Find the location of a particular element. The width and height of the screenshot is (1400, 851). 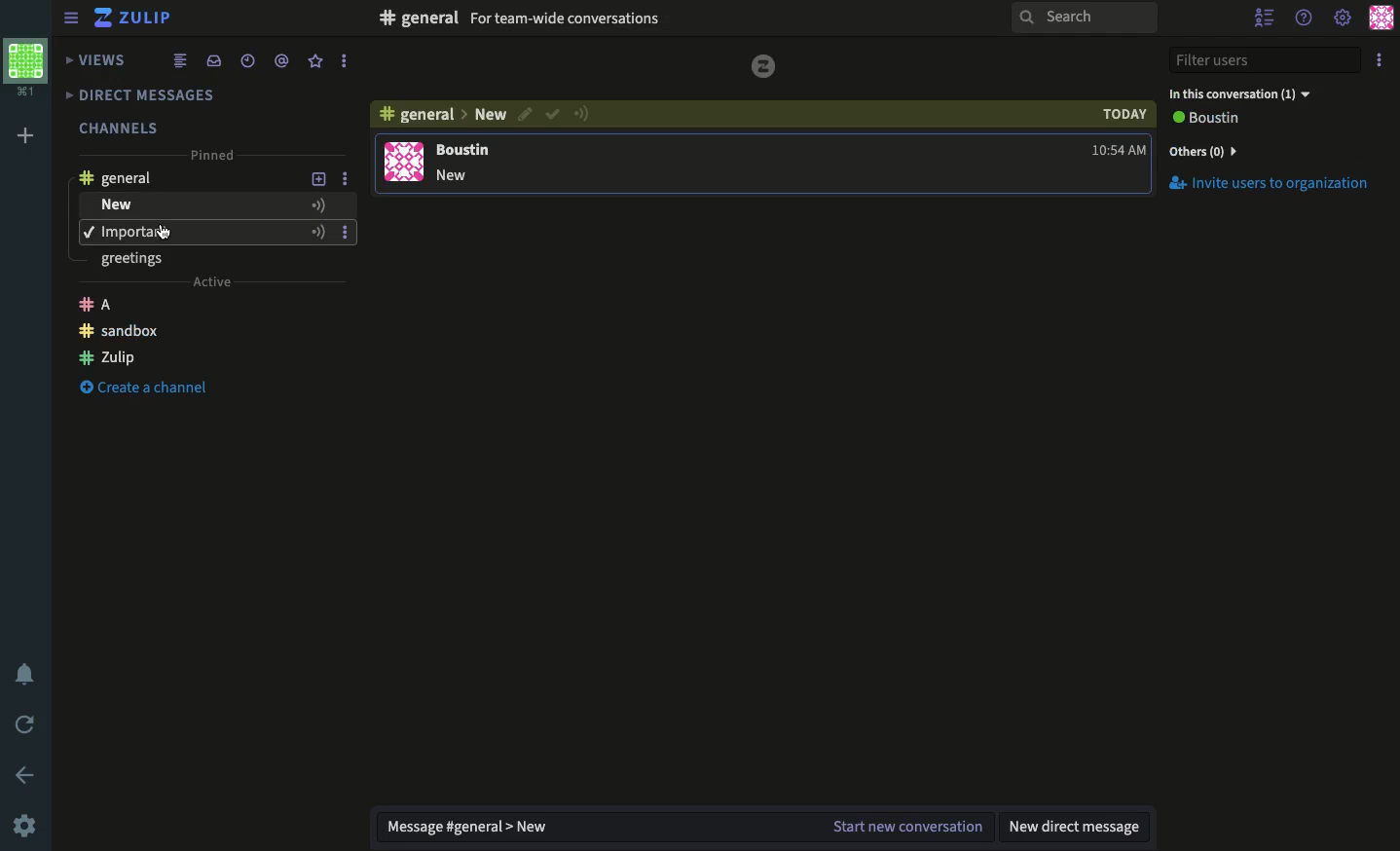

Create a channel is located at coordinates (144, 333).